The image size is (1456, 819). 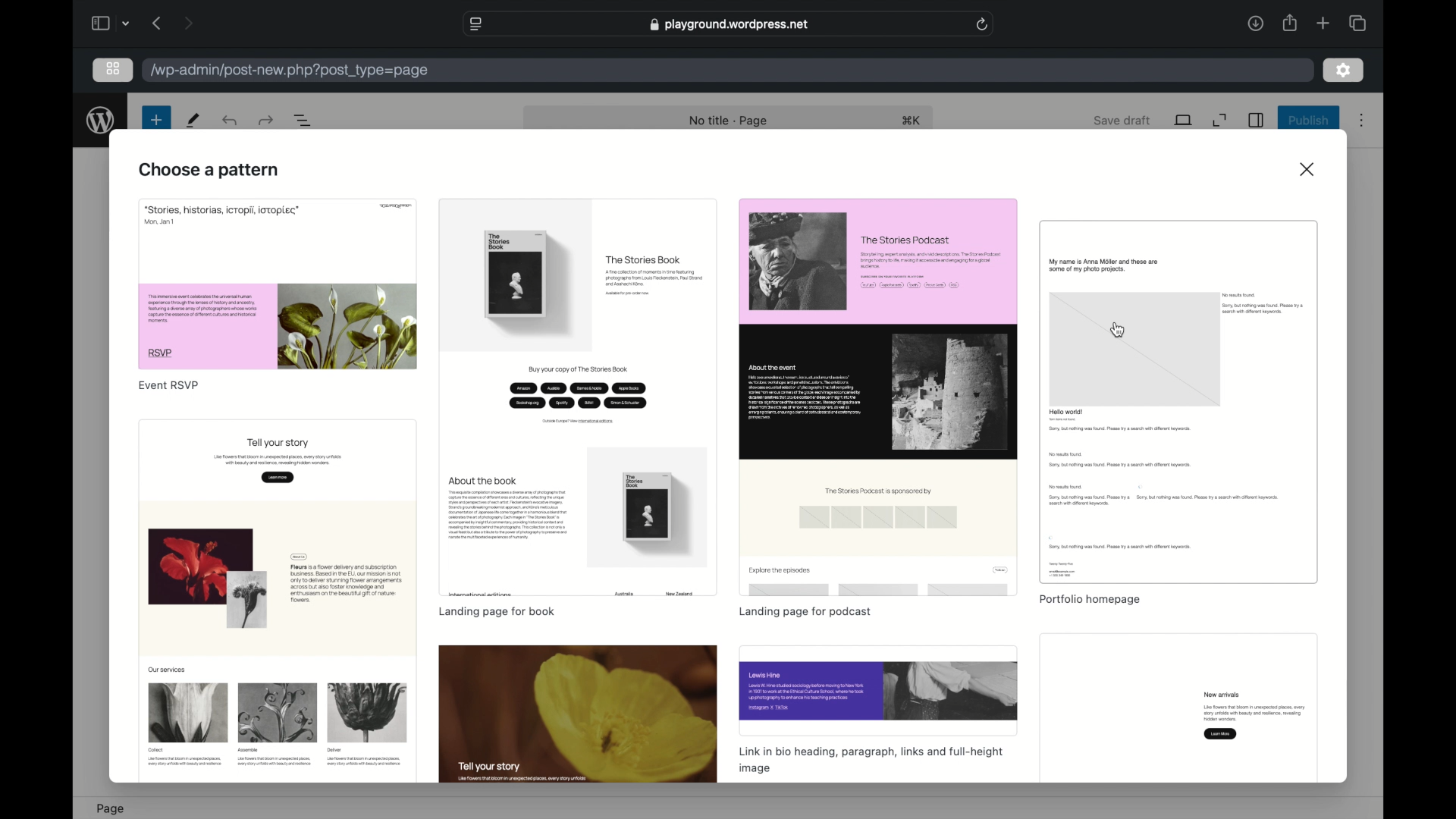 I want to click on redo, so click(x=231, y=120).